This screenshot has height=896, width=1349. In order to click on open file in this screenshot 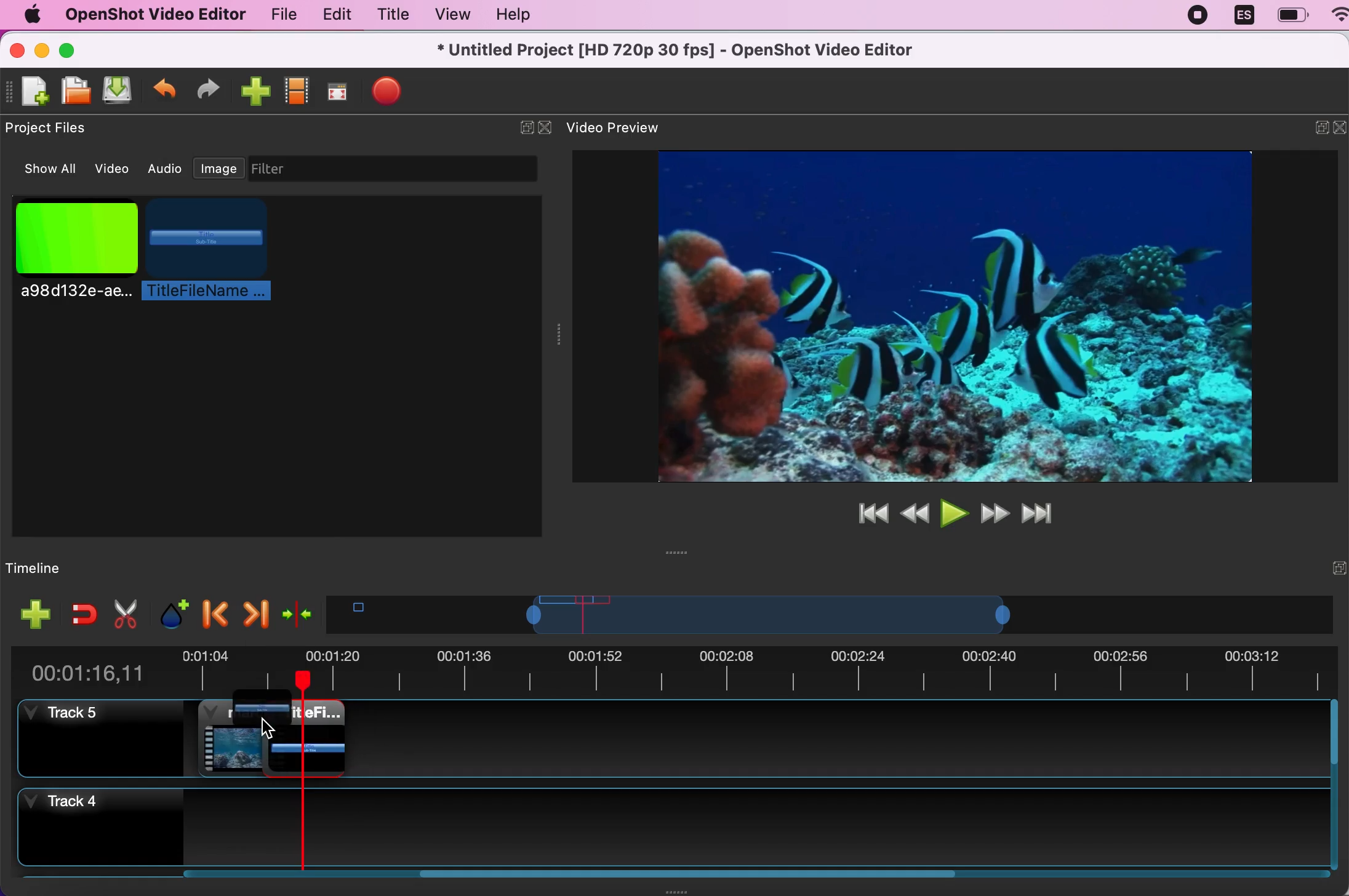, I will do `click(77, 91)`.